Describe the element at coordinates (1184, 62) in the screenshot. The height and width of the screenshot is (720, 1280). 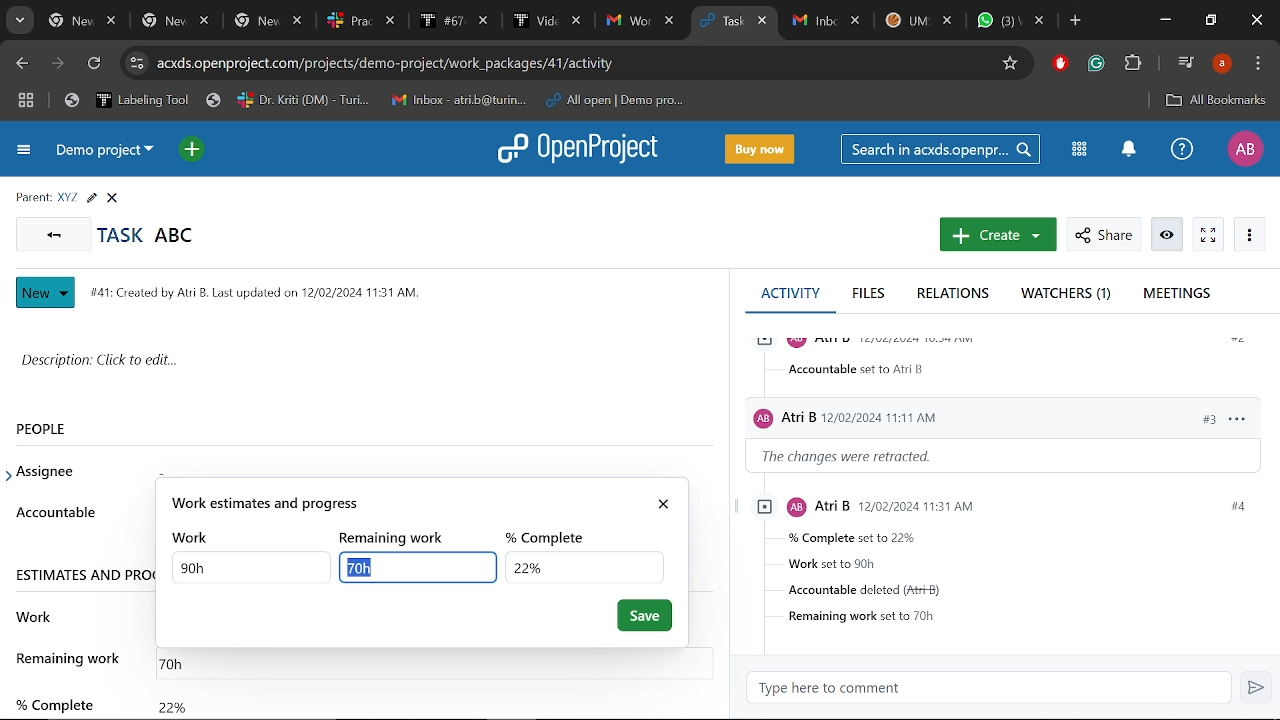
I see `Control audio/video` at that location.